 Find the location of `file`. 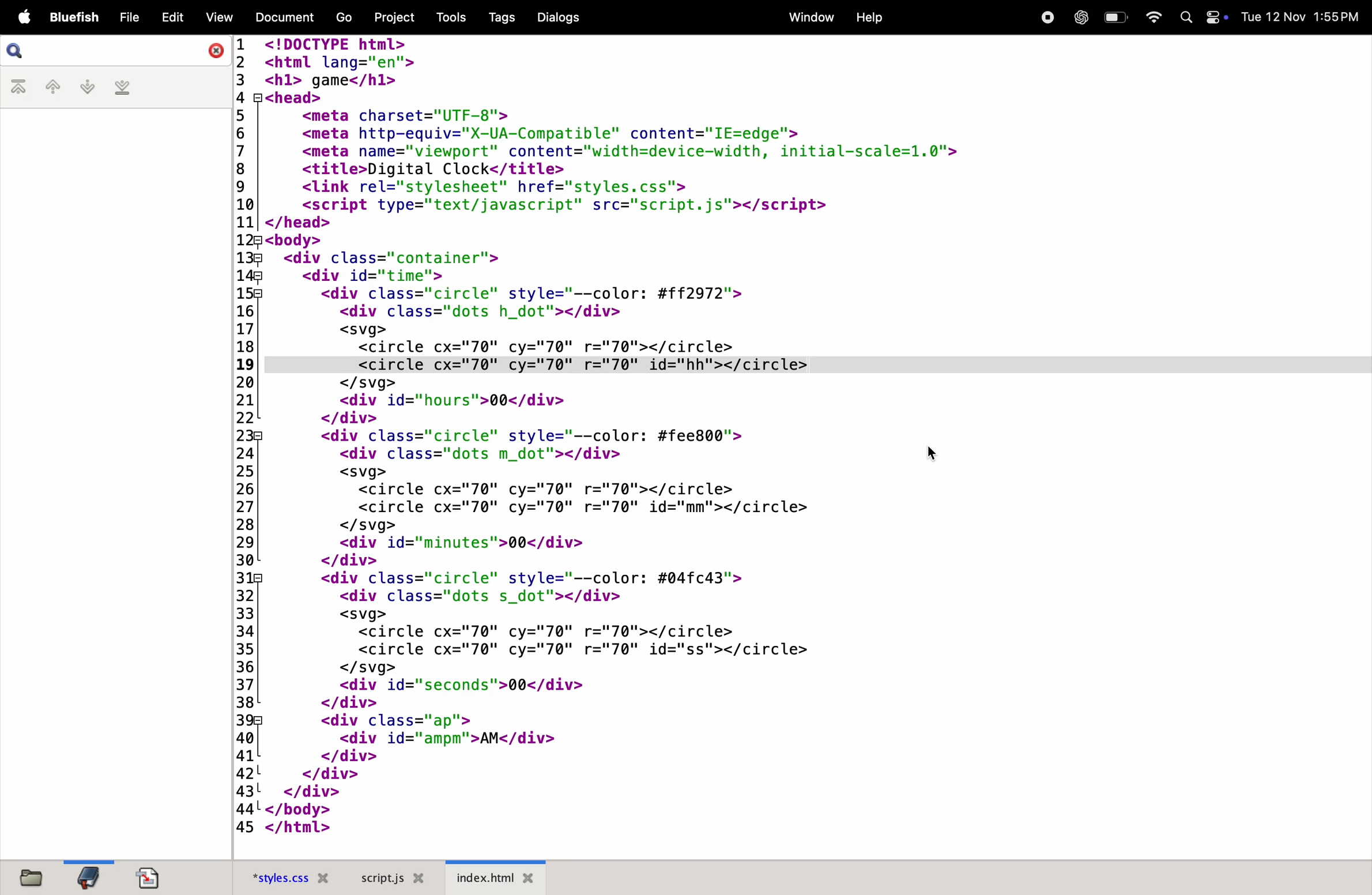

file is located at coordinates (127, 14).